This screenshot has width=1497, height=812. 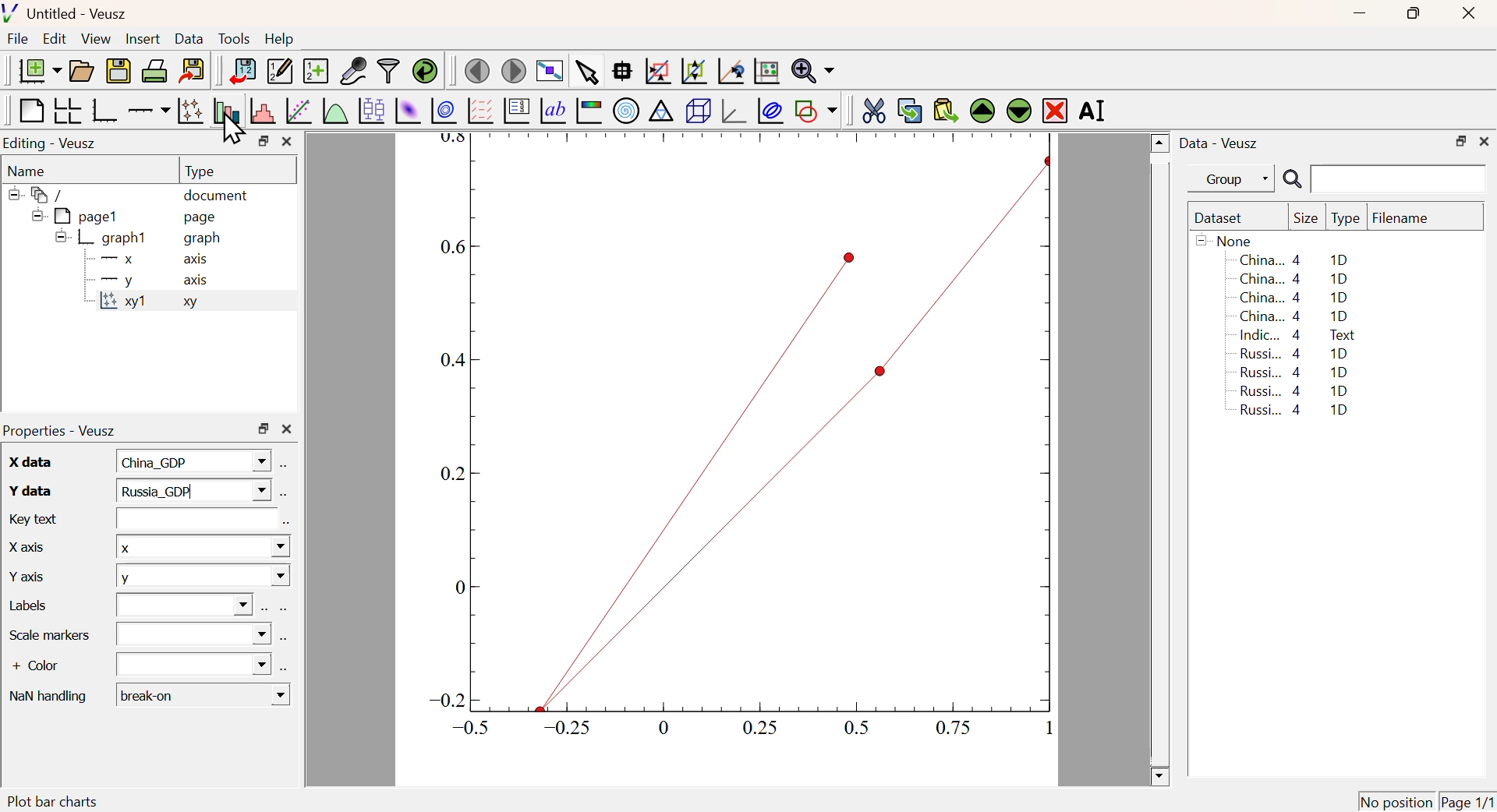 What do you see at coordinates (26, 489) in the screenshot?
I see `Y data` at bounding box center [26, 489].